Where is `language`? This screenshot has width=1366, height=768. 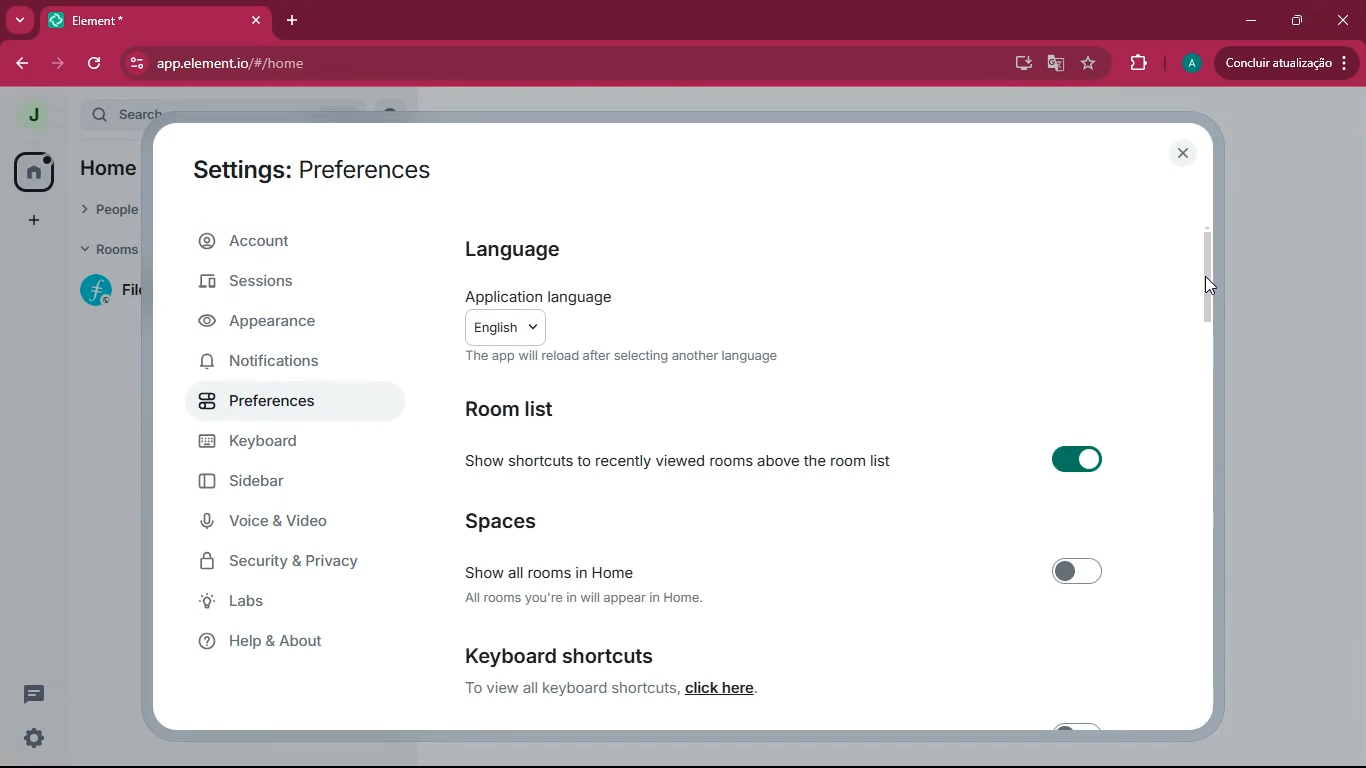 language is located at coordinates (511, 247).